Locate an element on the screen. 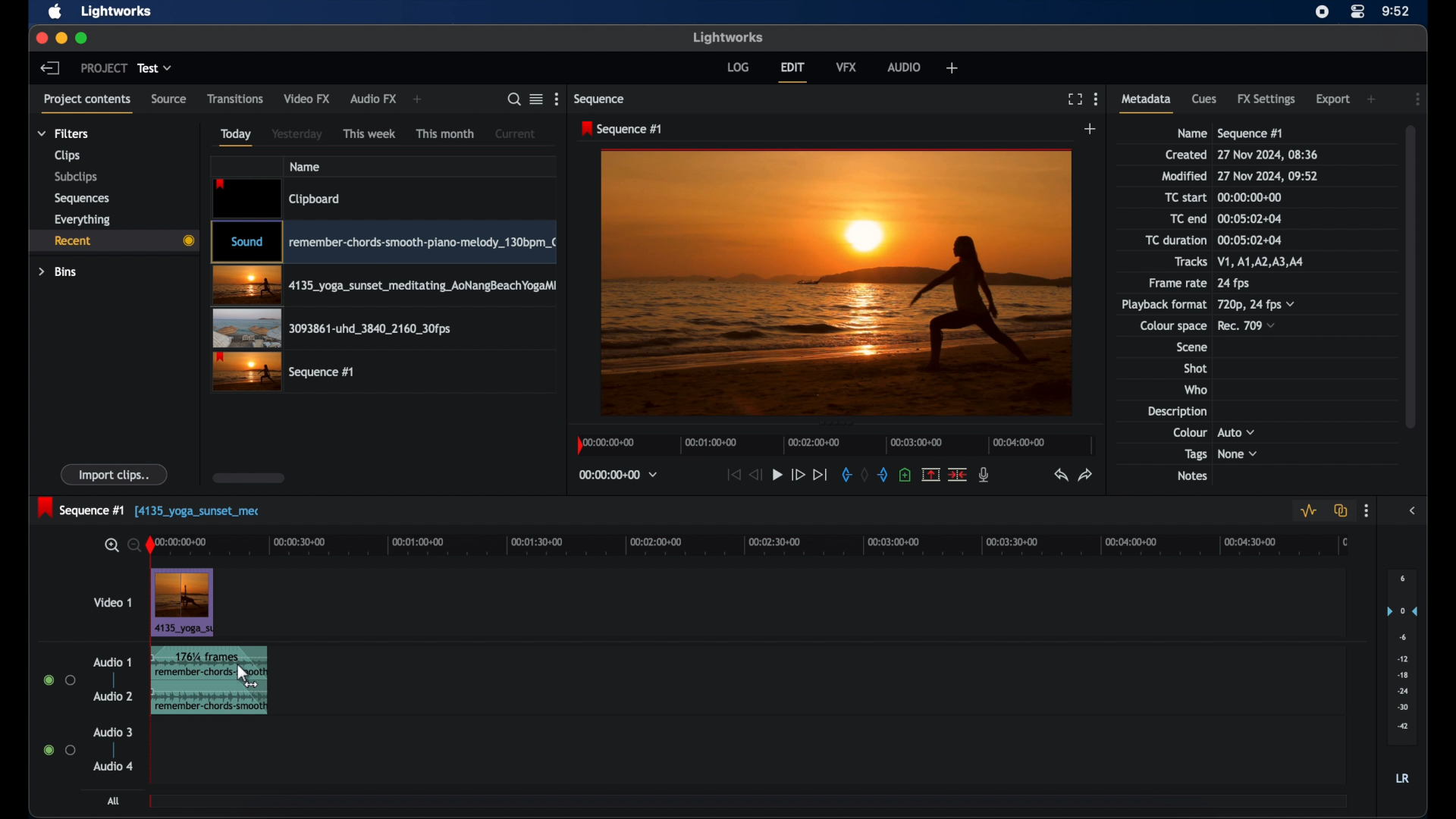  recent is located at coordinates (113, 243).